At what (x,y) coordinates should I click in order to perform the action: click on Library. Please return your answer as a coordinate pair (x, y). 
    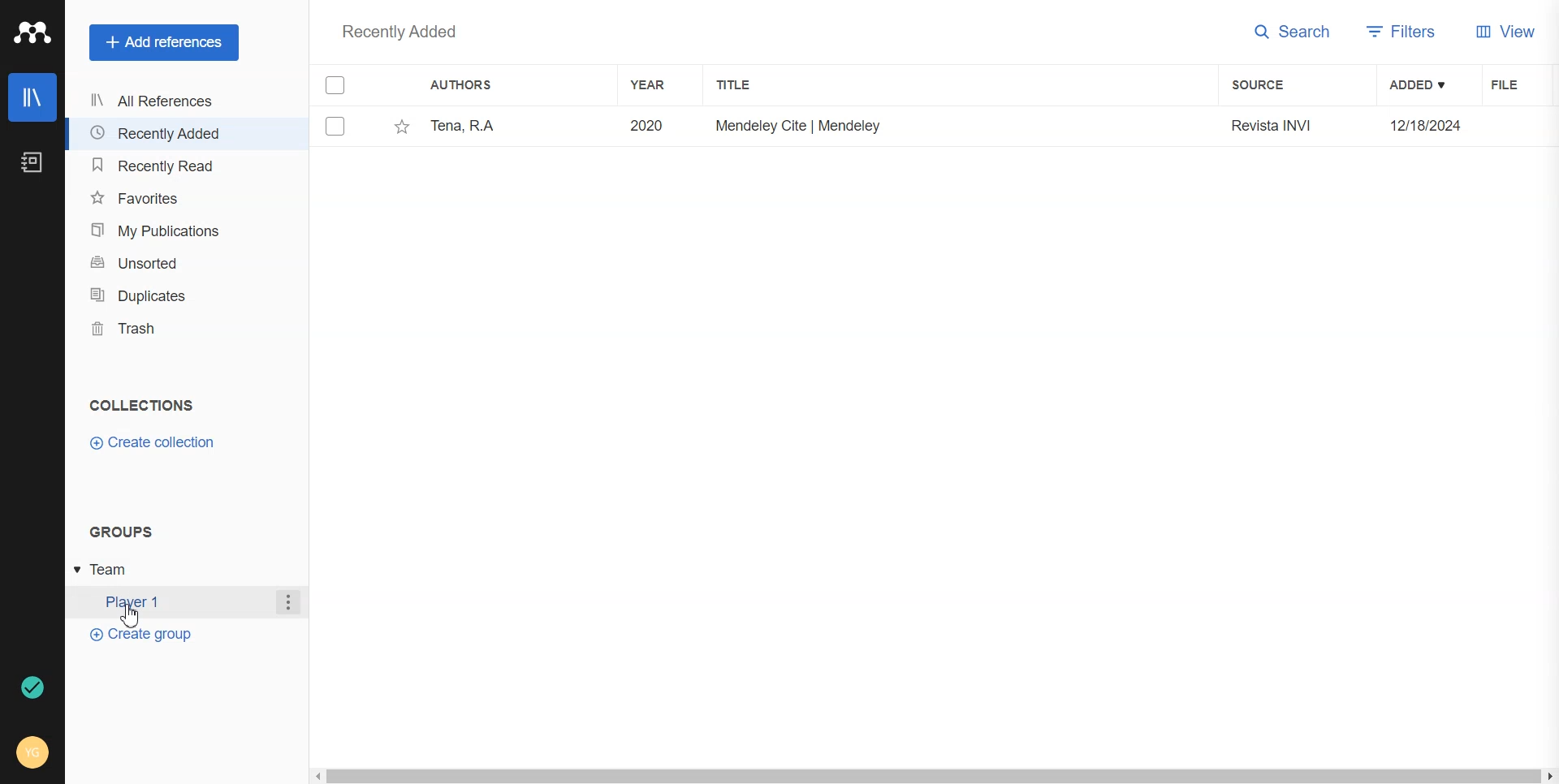
    Looking at the image, I should click on (33, 98).